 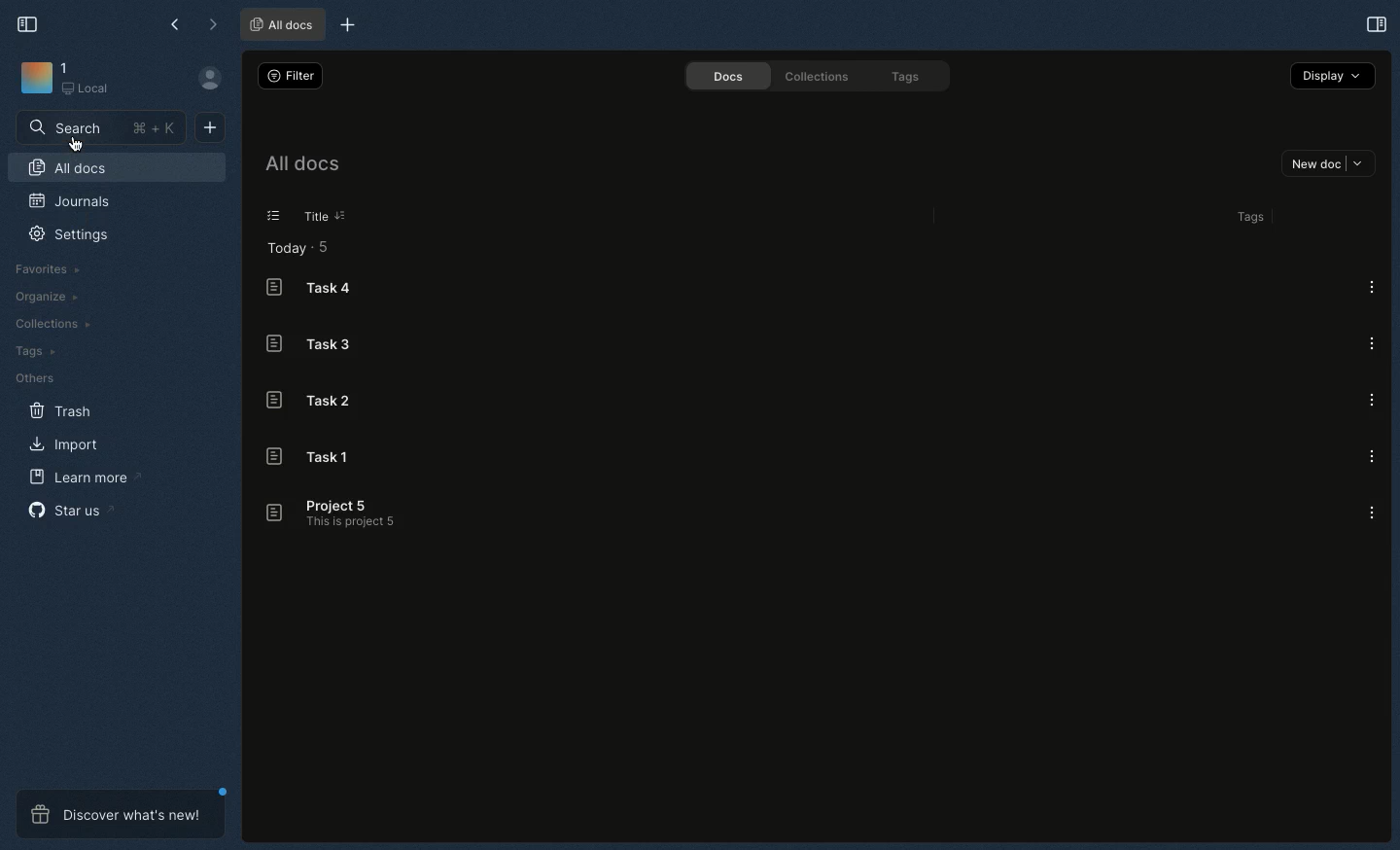 I want to click on Collections, so click(x=821, y=74).